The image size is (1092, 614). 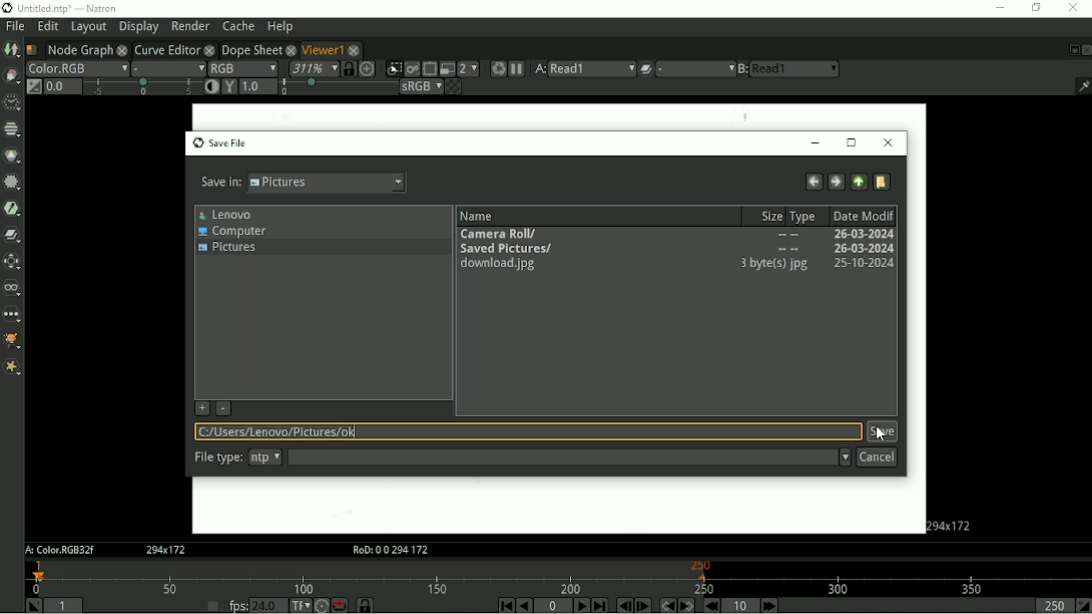 What do you see at coordinates (224, 408) in the screenshot?
I see `Remove selected directory from favorite list` at bounding box center [224, 408].